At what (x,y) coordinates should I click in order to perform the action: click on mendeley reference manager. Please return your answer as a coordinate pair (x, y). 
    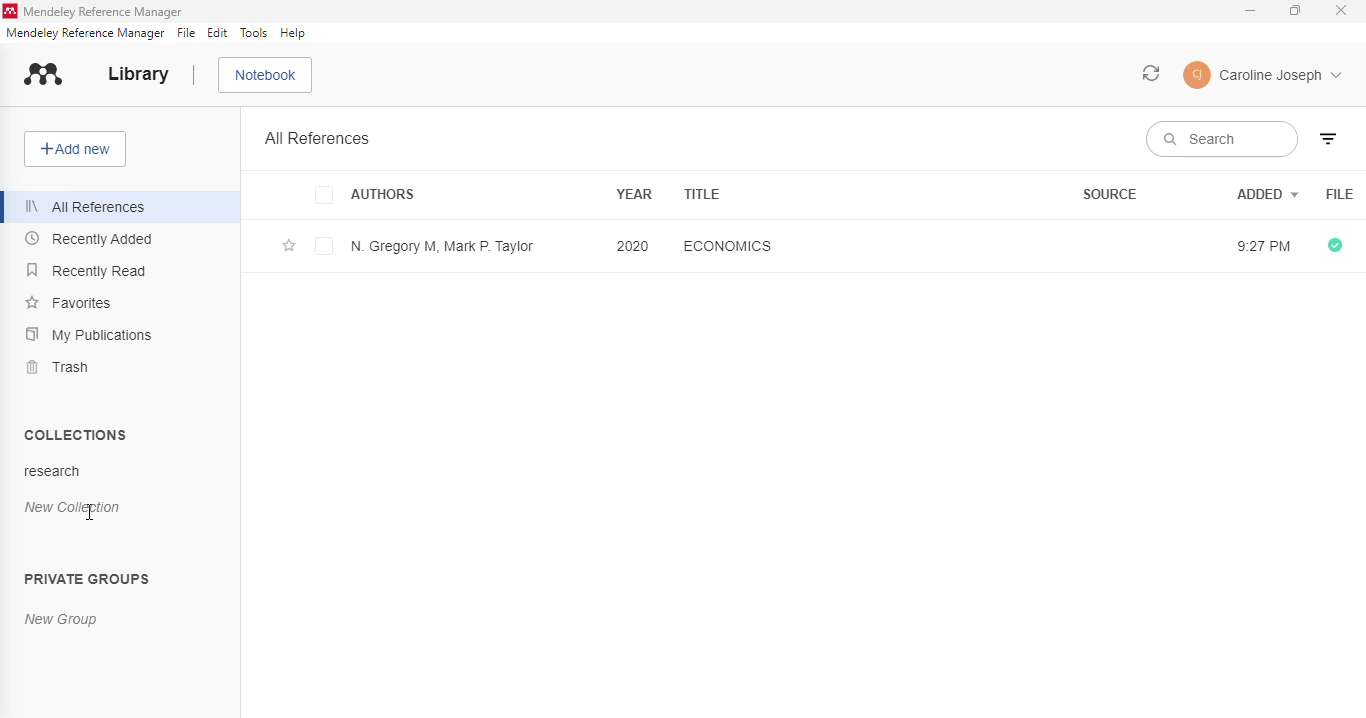
    Looking at the image, I should click on (86, 33).